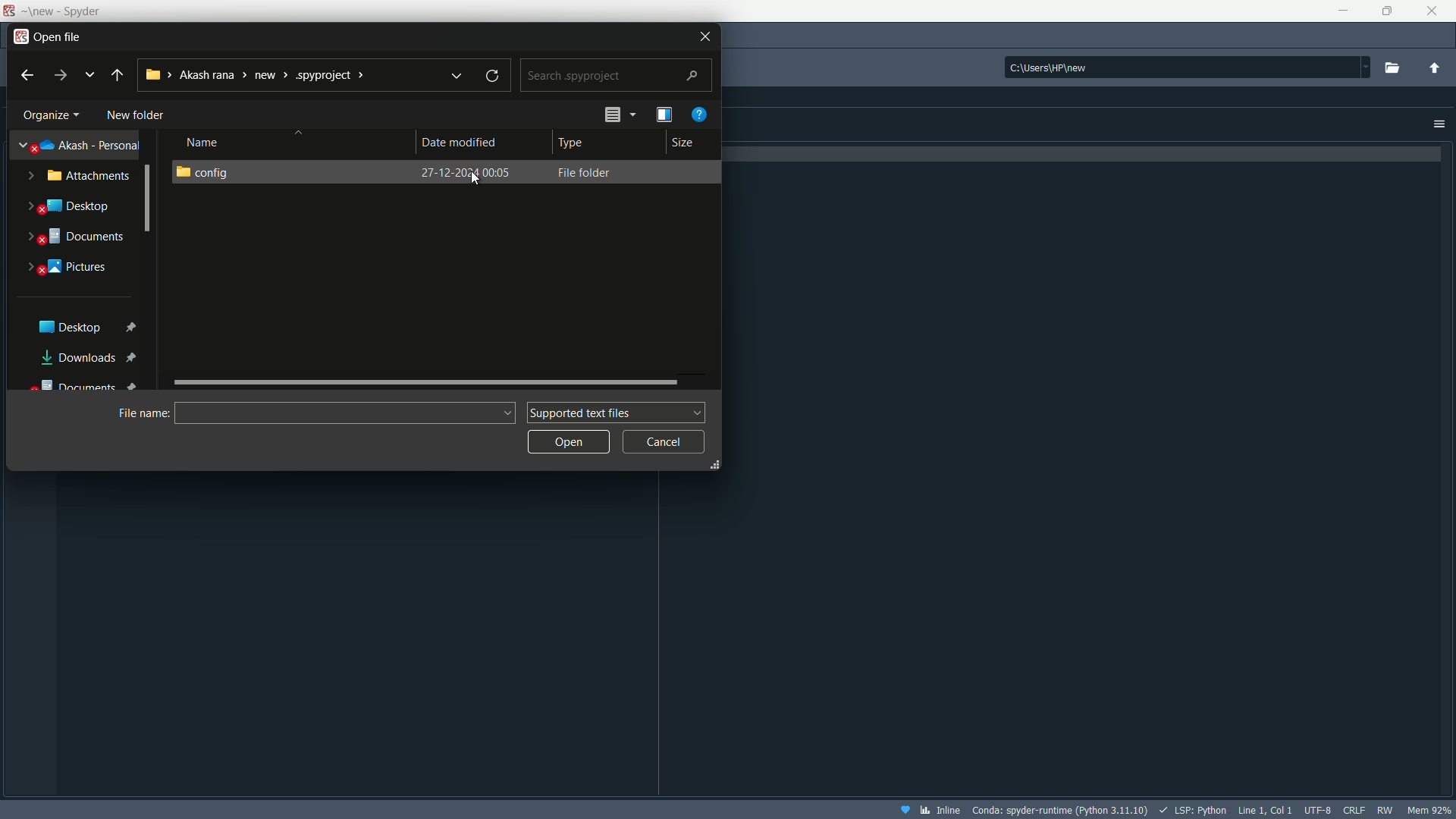 This screenshot has width=1456, height=819. I want to click on Desktop, so click(77, 207).